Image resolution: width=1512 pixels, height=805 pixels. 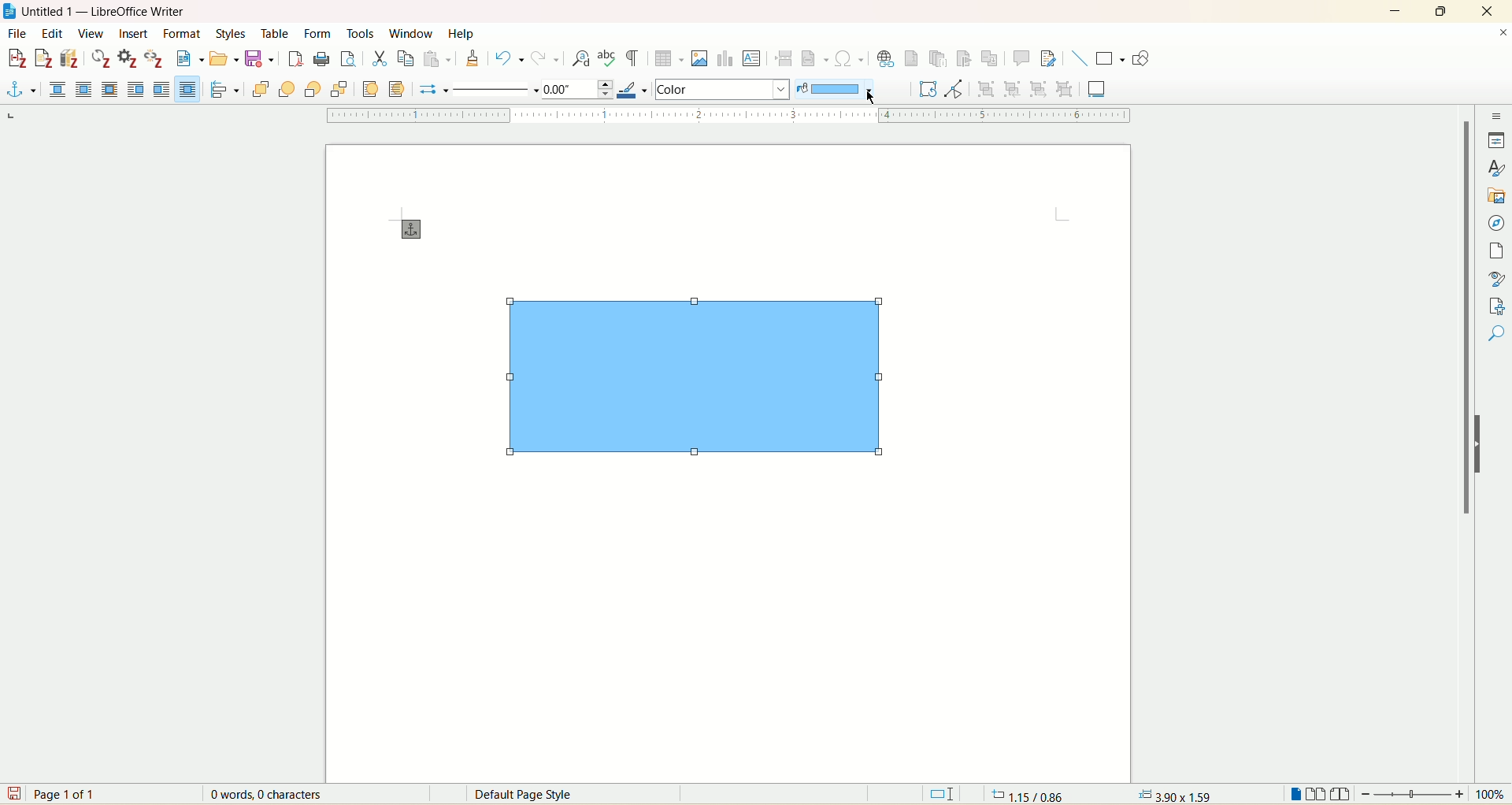 What do you see at coordinates (261, 62) in the screenshot?
I see `save` at bounding box center [261, 62].